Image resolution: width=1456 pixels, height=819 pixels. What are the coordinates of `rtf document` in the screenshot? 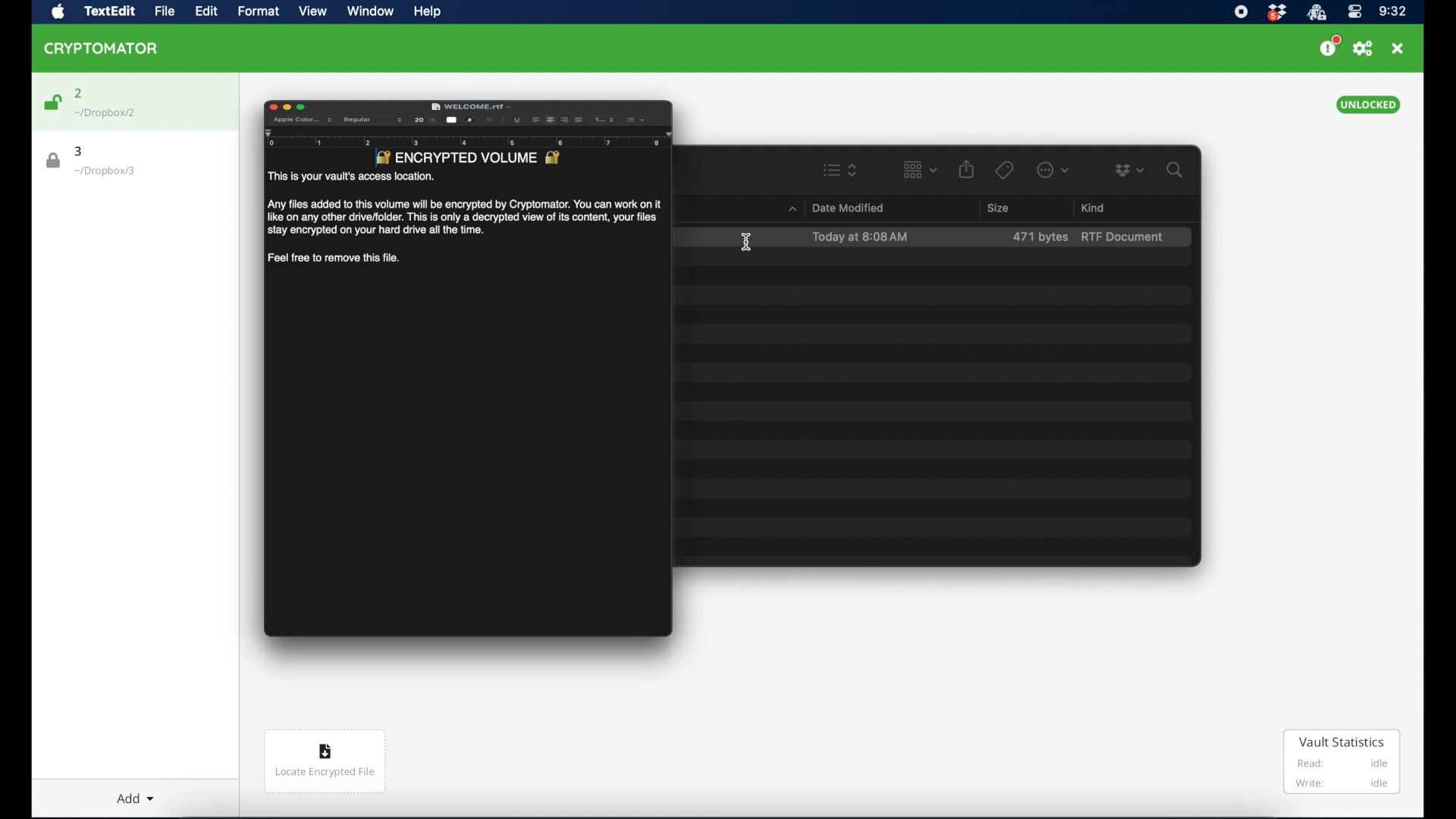 It's located at (1123, 237).